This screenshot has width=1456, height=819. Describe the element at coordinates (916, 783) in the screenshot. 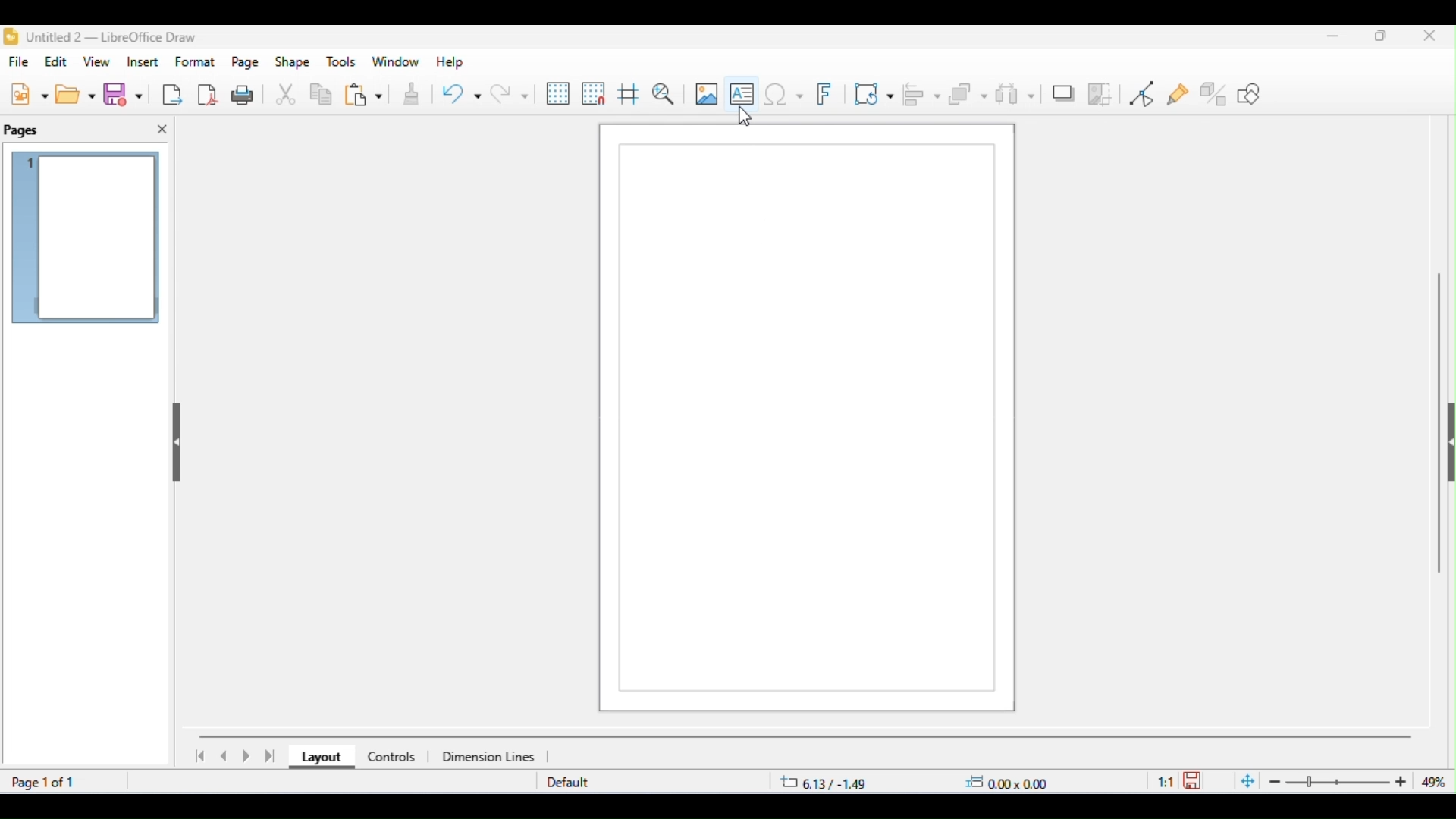

I see `position and size` at that location.